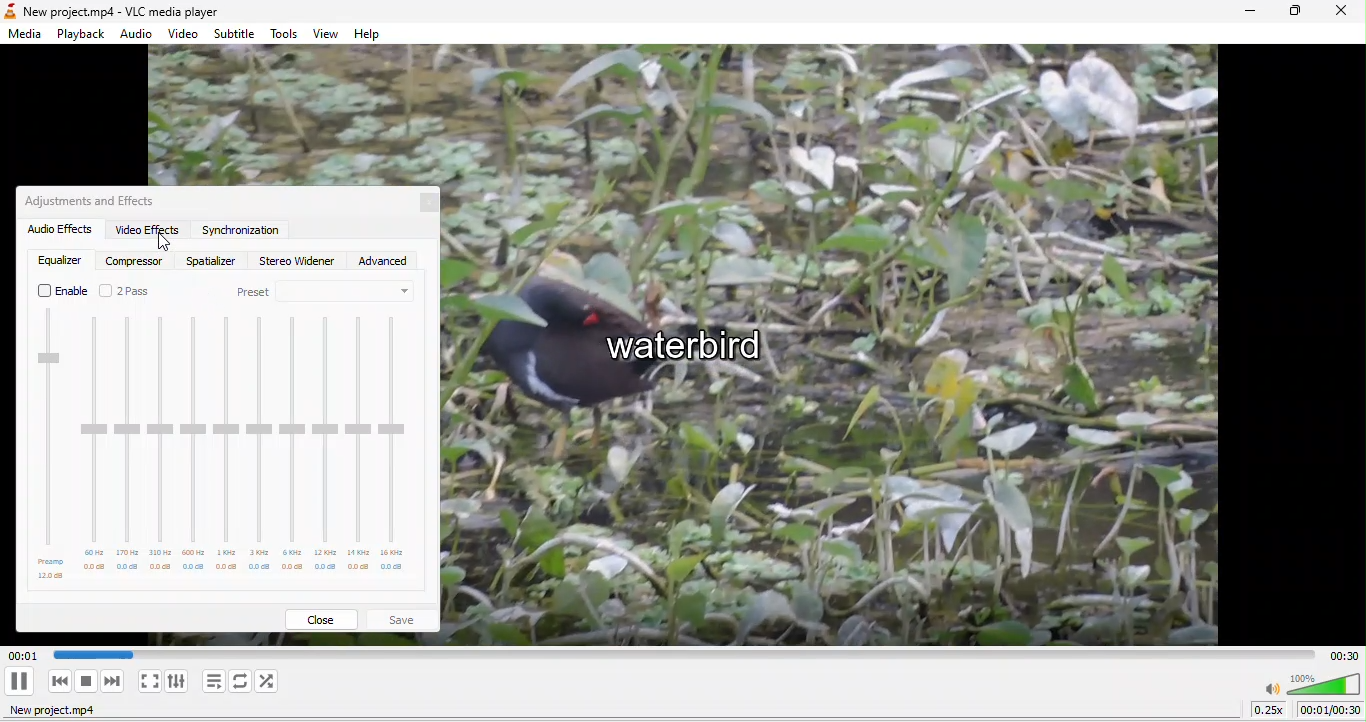 Image resolution: width=1366 pixels, height=722 pixels. Describe the element at coordinates (137, 289) in the screenshot. I see `2 pass` at that location.